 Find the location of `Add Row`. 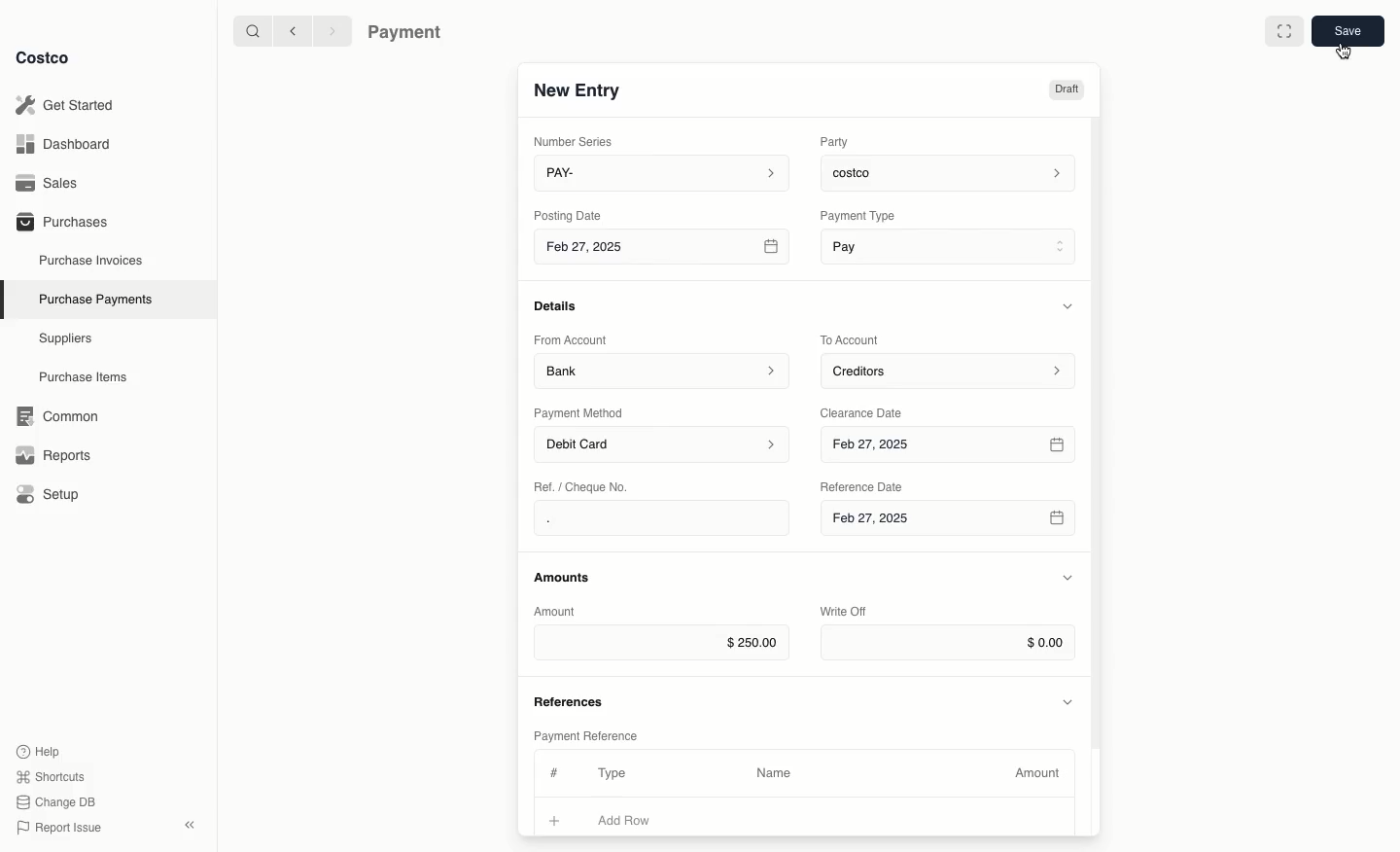

Add Row is located at coordinates (637, 820).